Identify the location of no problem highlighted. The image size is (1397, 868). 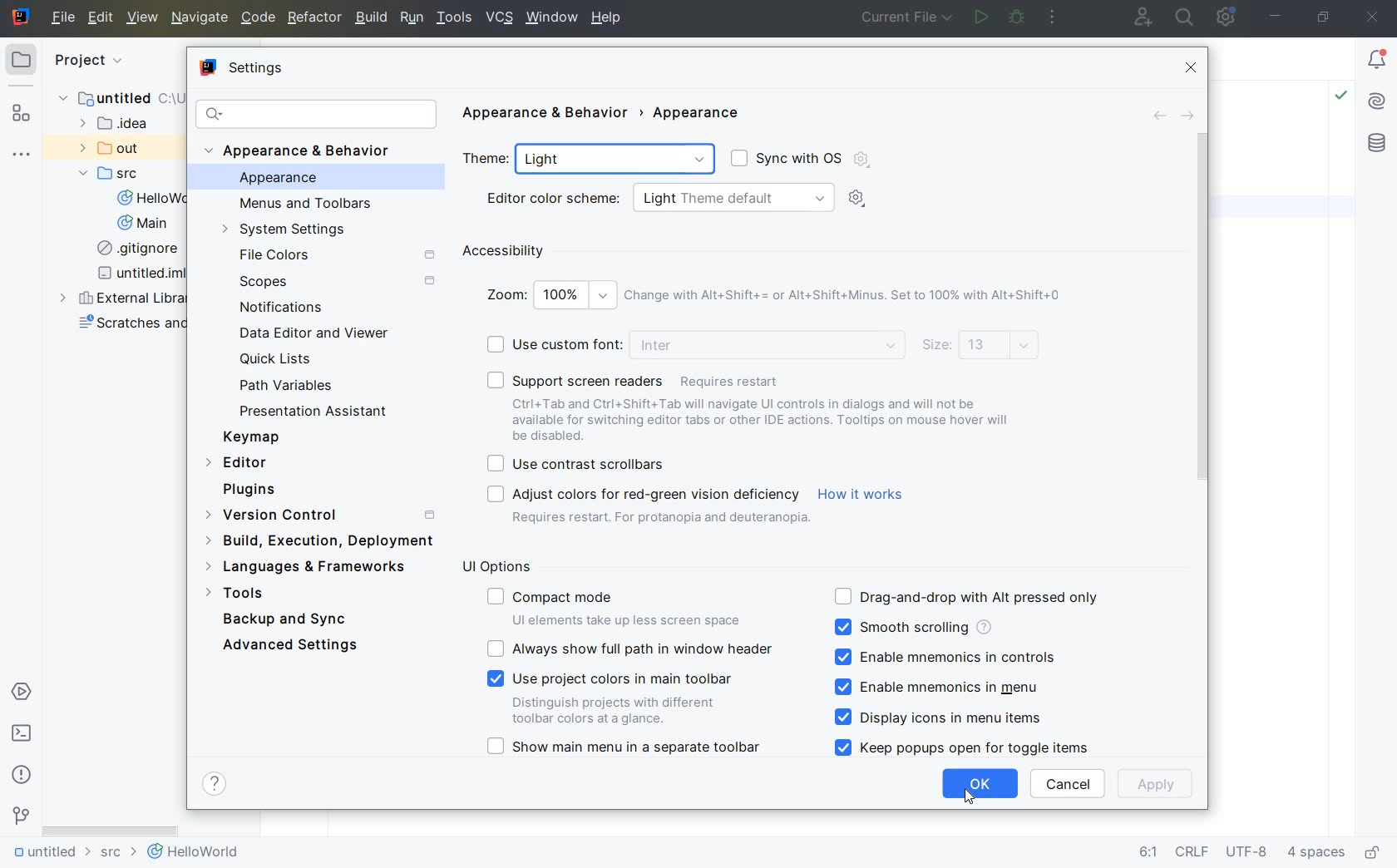
(1340, 94).